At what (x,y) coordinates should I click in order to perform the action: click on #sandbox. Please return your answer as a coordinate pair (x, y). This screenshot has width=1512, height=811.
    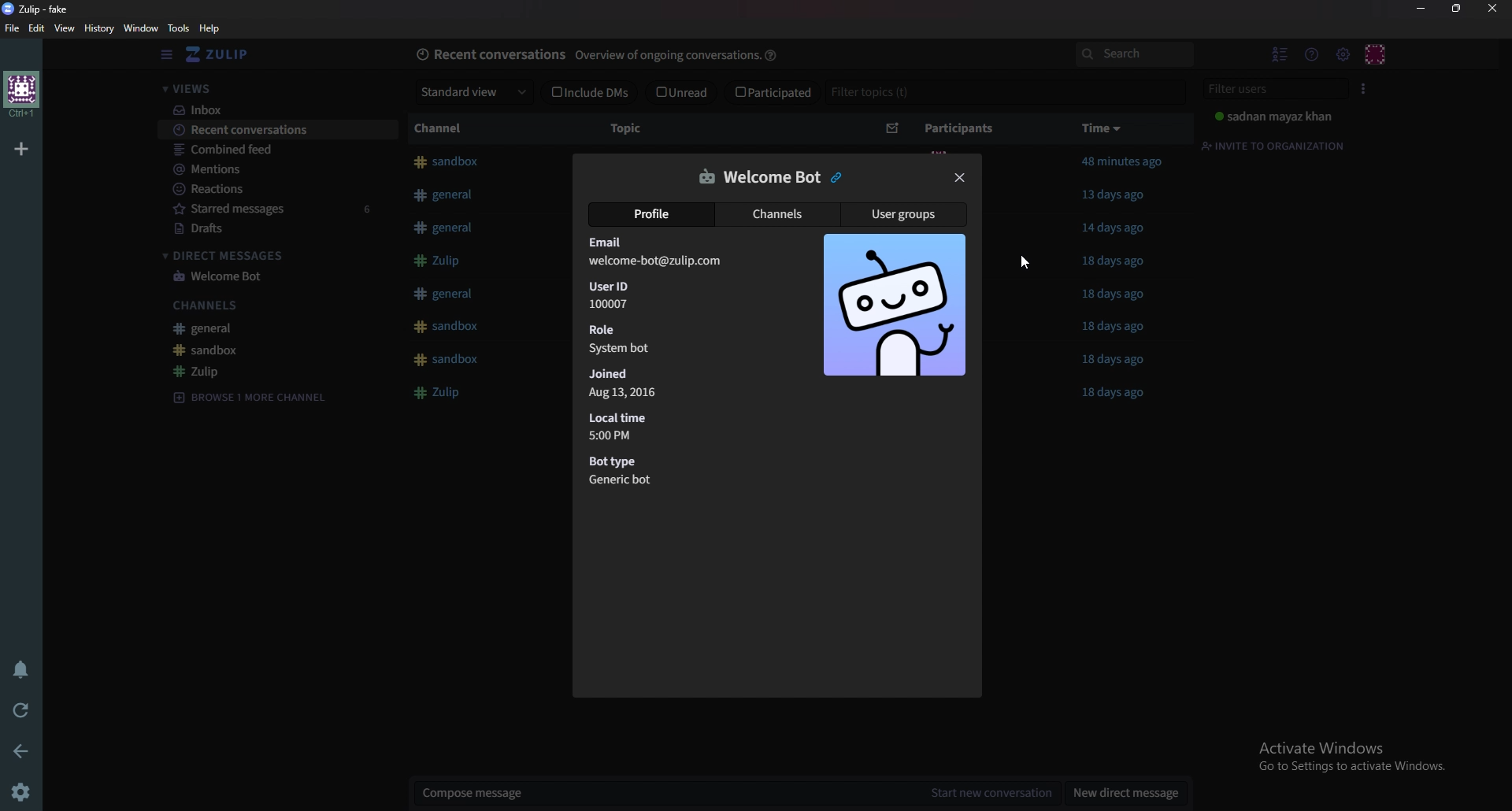
    Looking at the image, I should click on (454, 163).